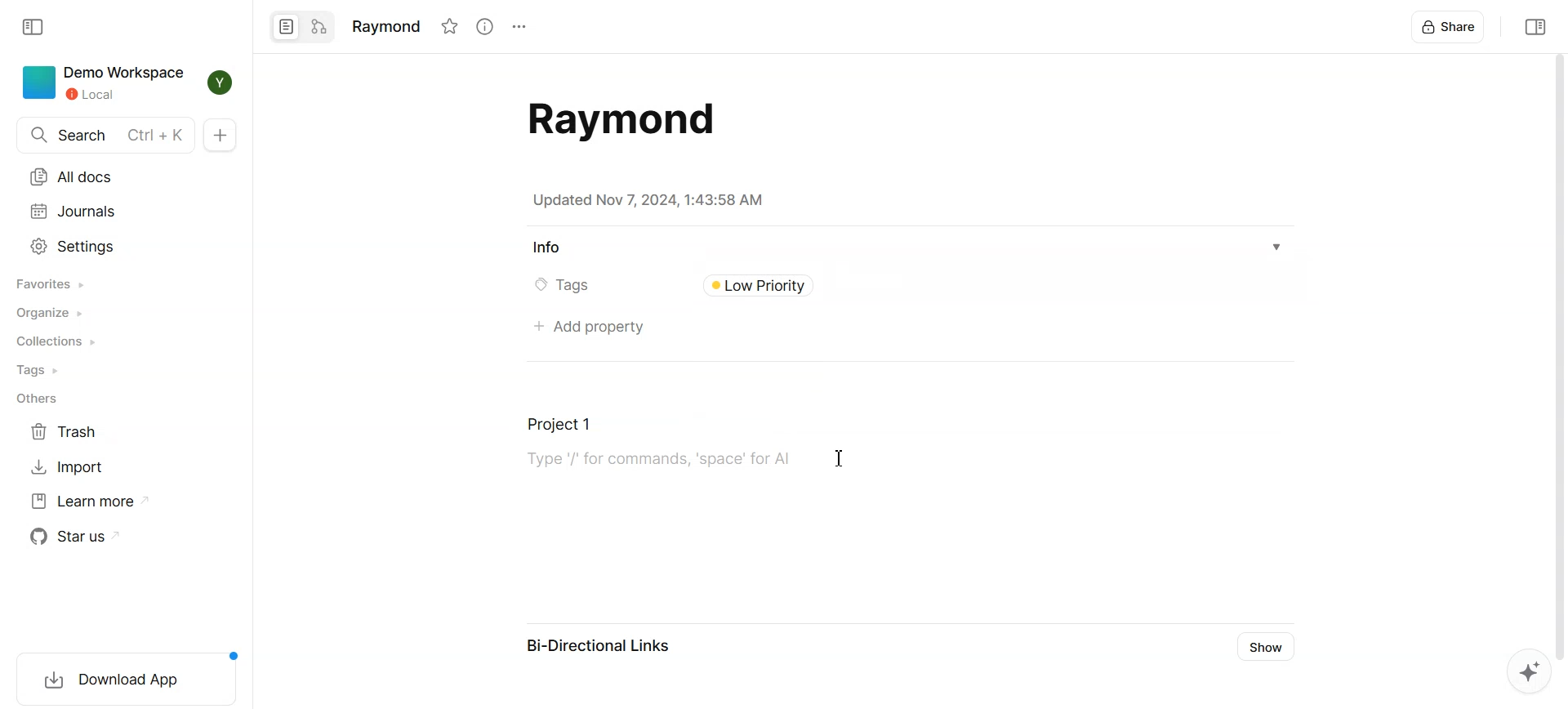  I want to click on Favorite, so click(449, 26).